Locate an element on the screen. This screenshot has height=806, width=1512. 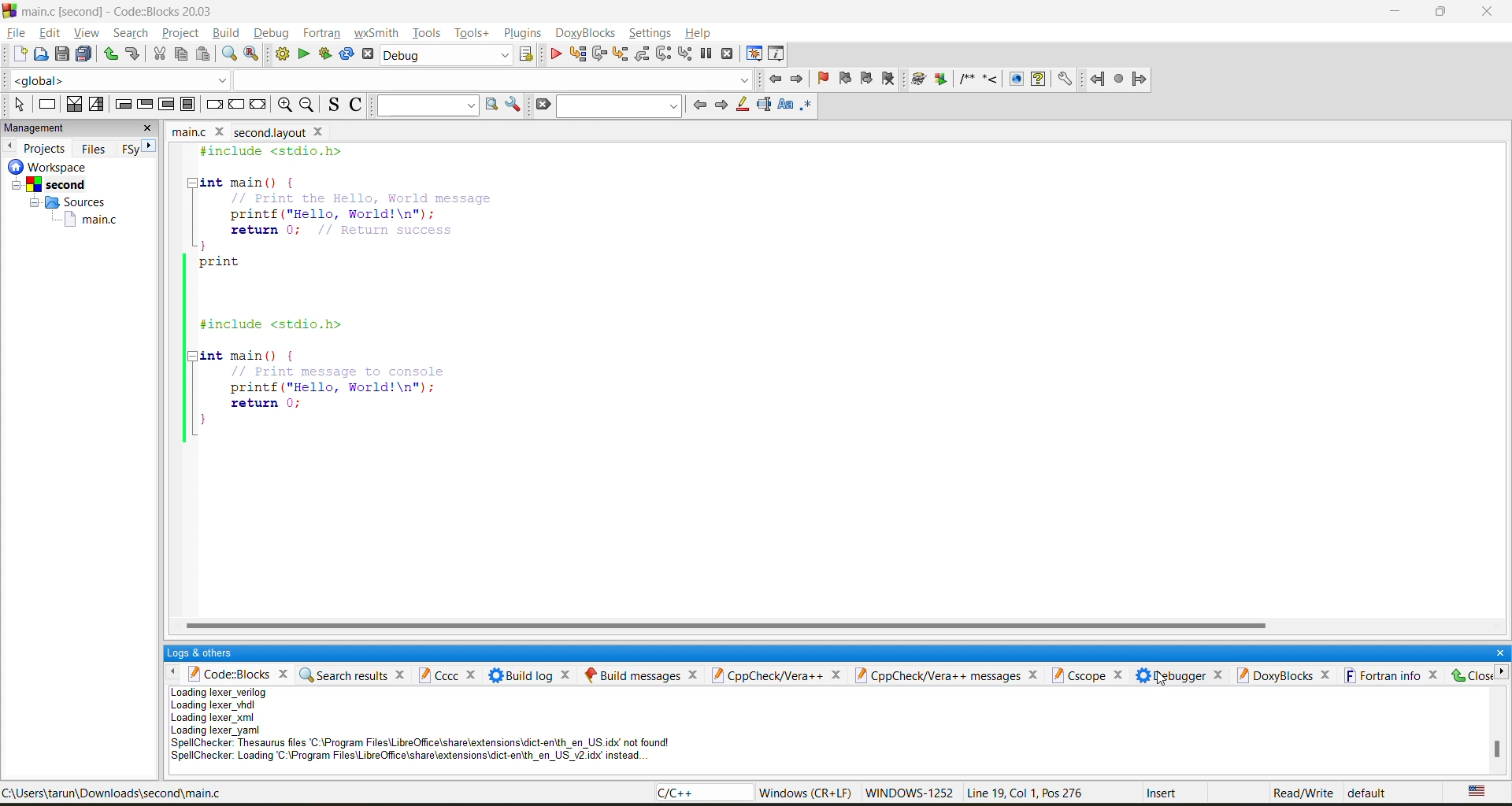
view is located at coordinates (88, 34).